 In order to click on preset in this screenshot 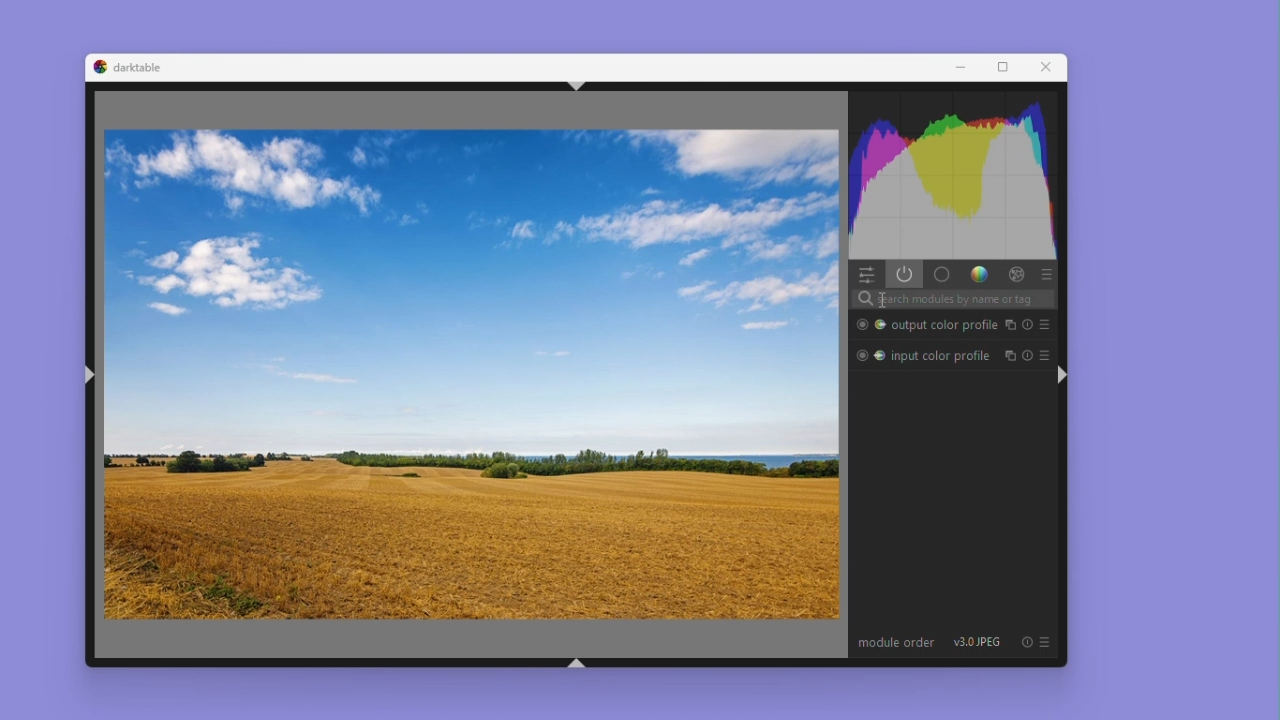, I will do `click(1045, 275)`.